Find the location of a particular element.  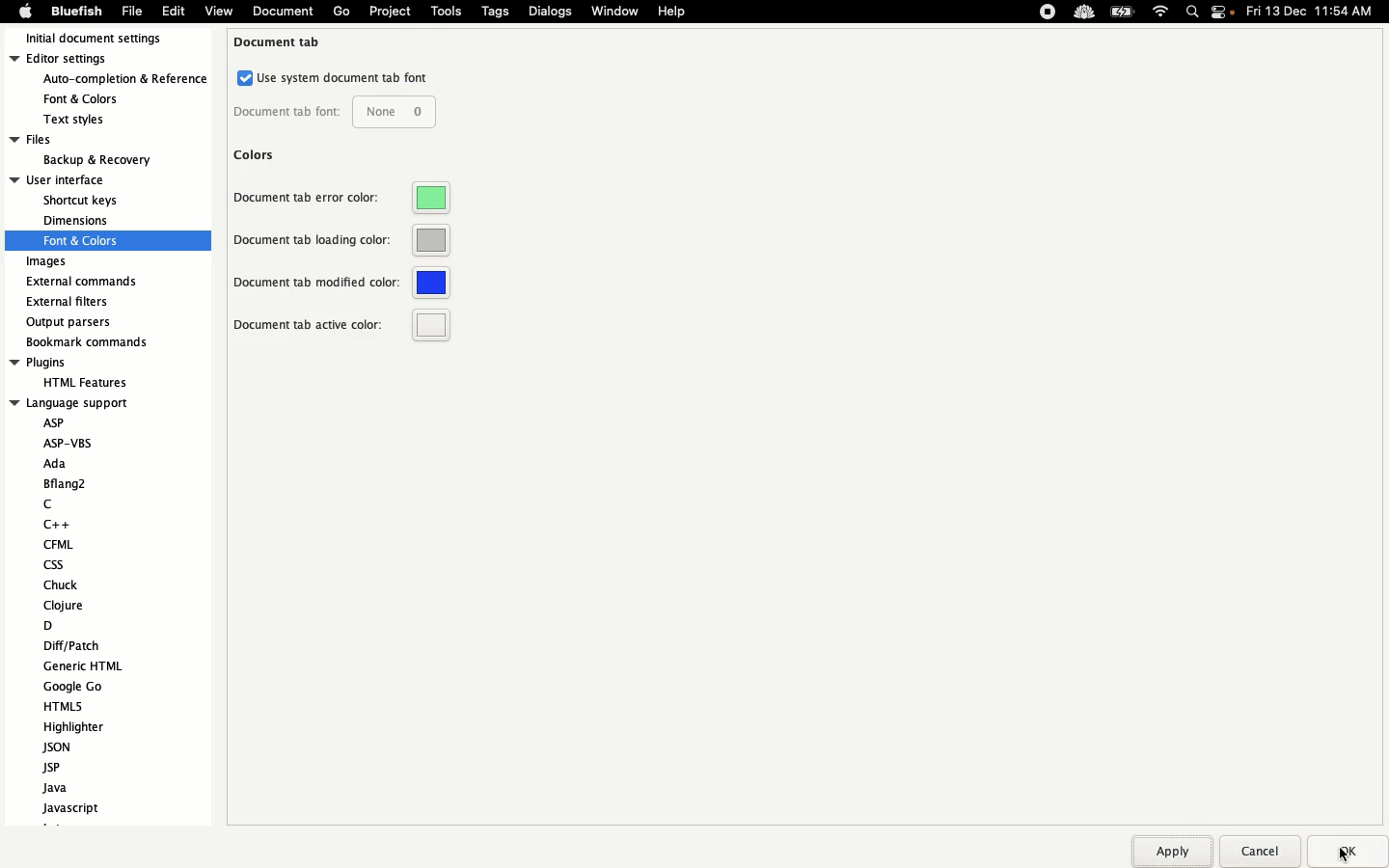

cursor is located at coordinates (1347, 845).